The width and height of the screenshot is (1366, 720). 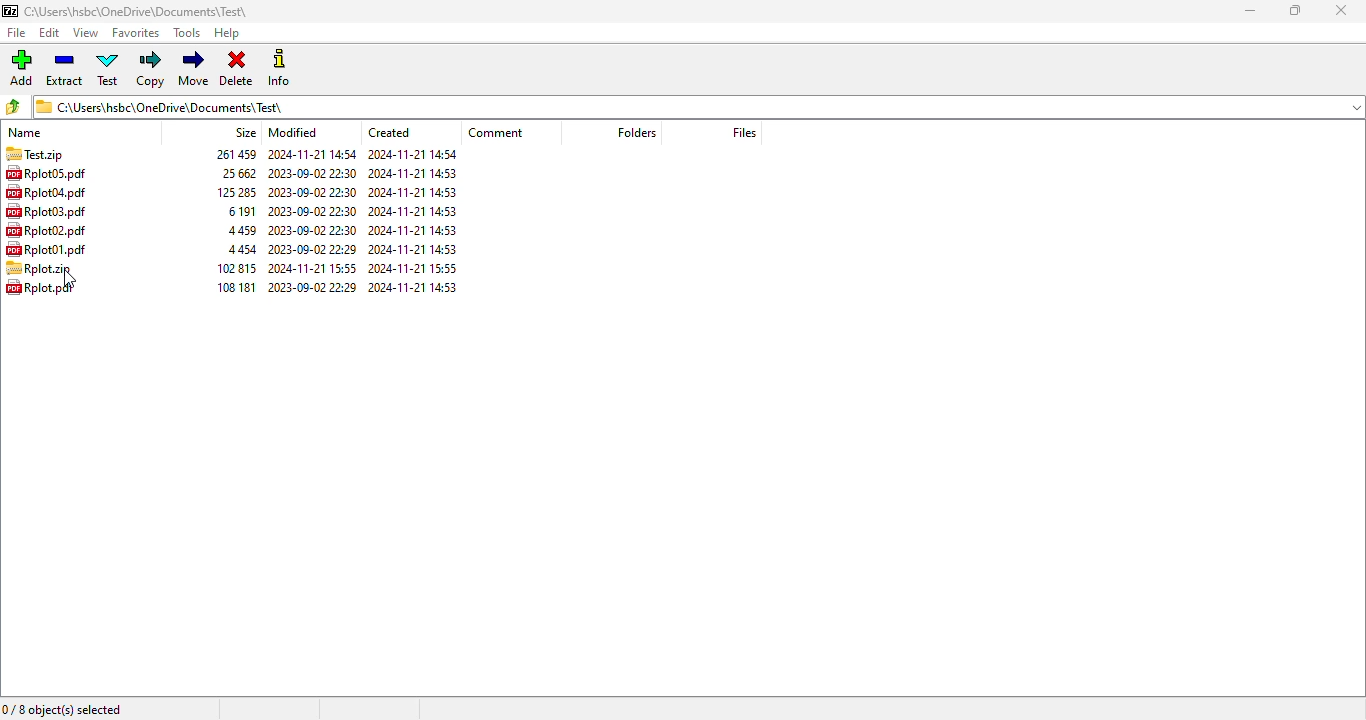 I want to click on close, so click(x=1343, y=10).